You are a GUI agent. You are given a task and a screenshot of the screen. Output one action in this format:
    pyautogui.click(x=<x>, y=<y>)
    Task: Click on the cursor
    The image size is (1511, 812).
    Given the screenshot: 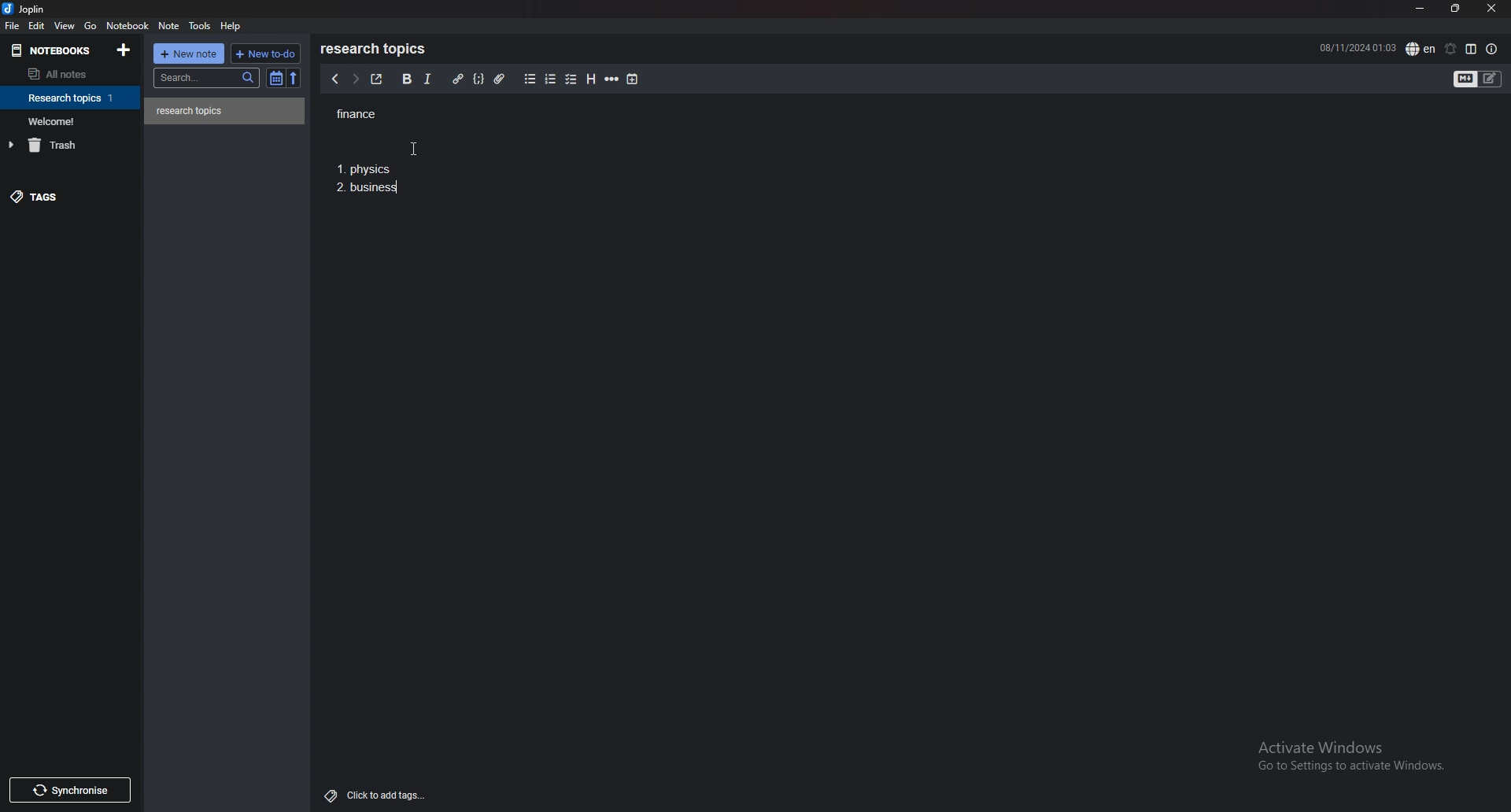 What is the action you would take?
    pyautogui.click(x=419, y=150)
    